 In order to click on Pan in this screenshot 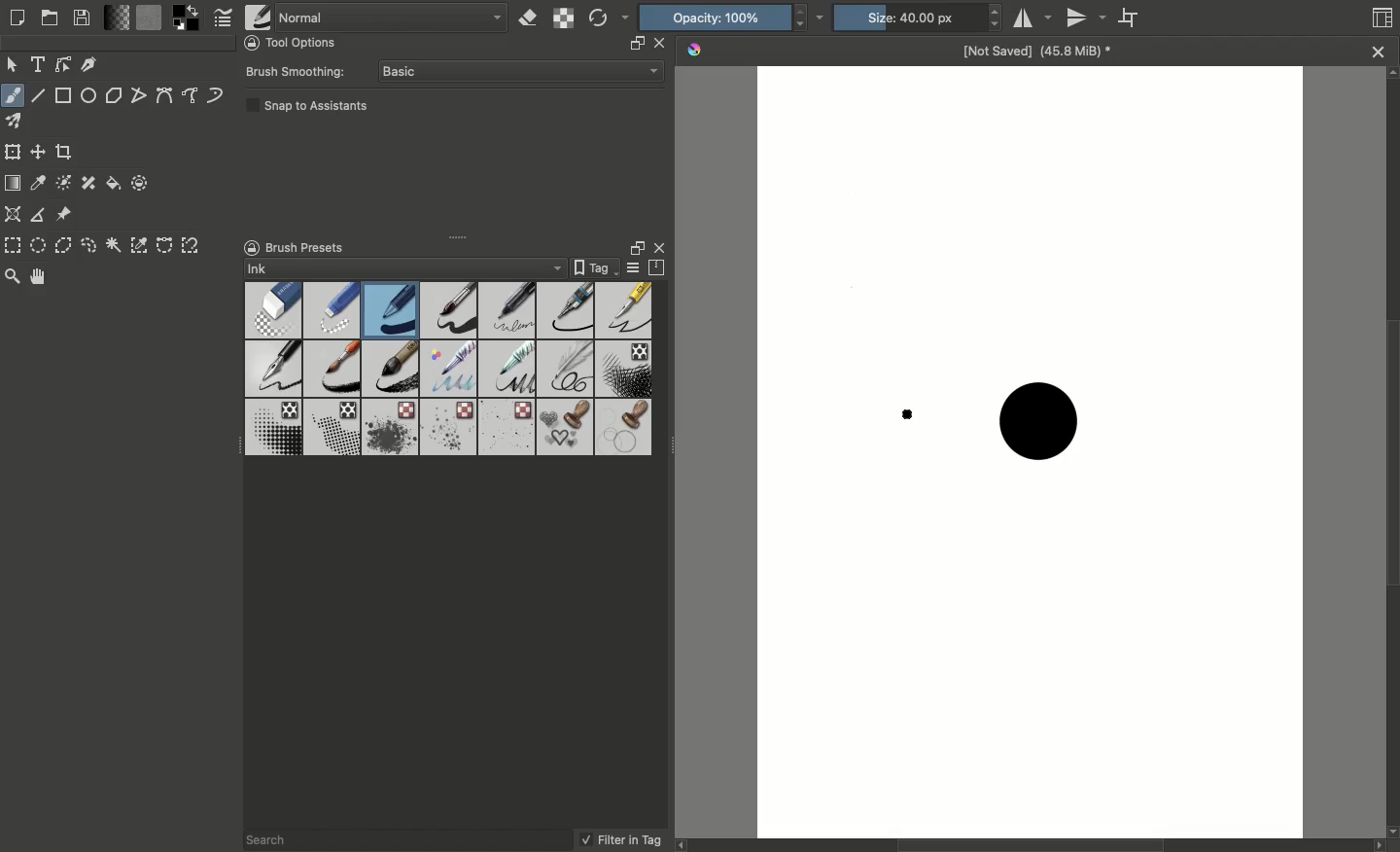, I will do `click(45, 277)`.